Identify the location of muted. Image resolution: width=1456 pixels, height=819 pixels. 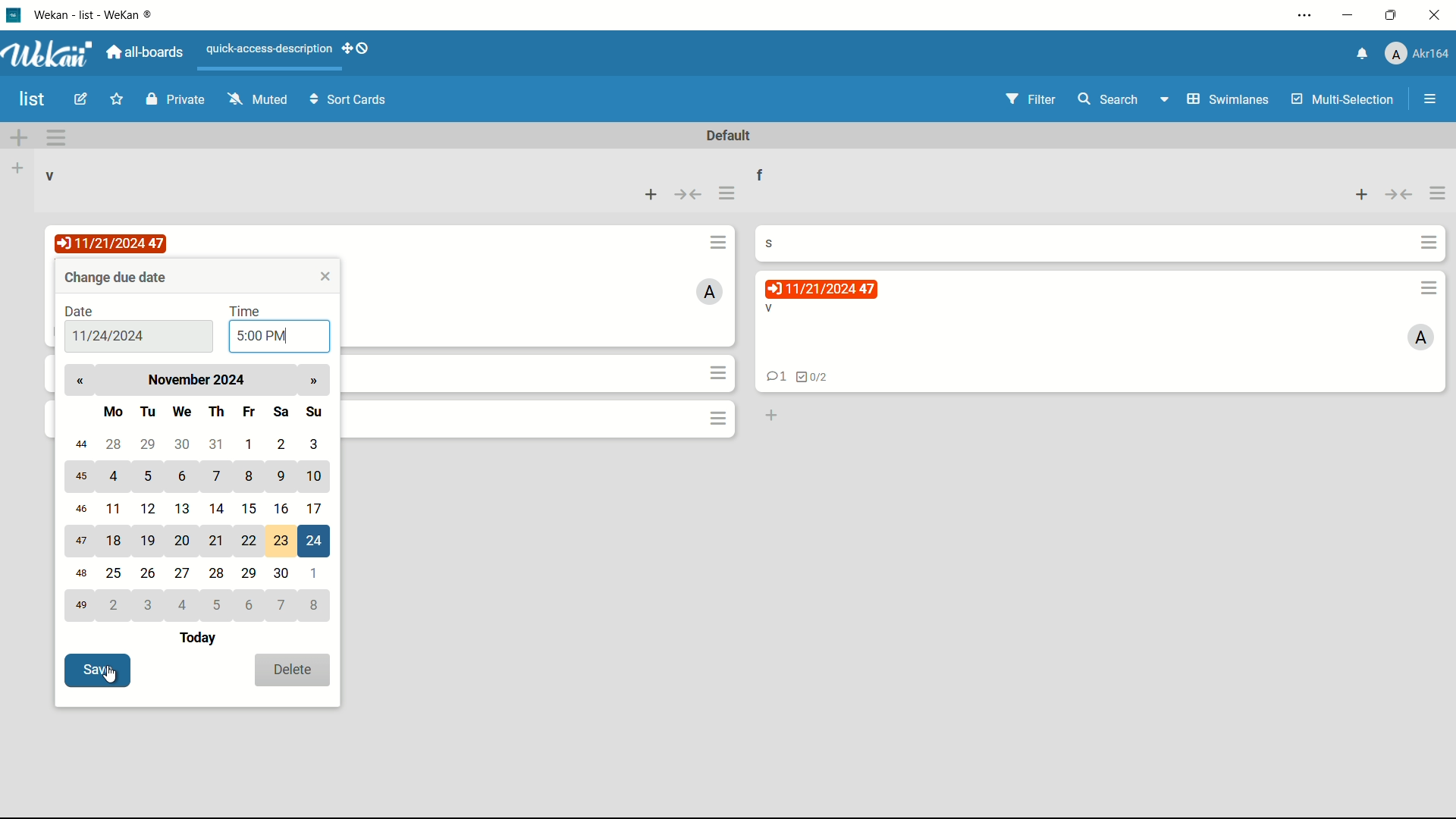
(258, 100).